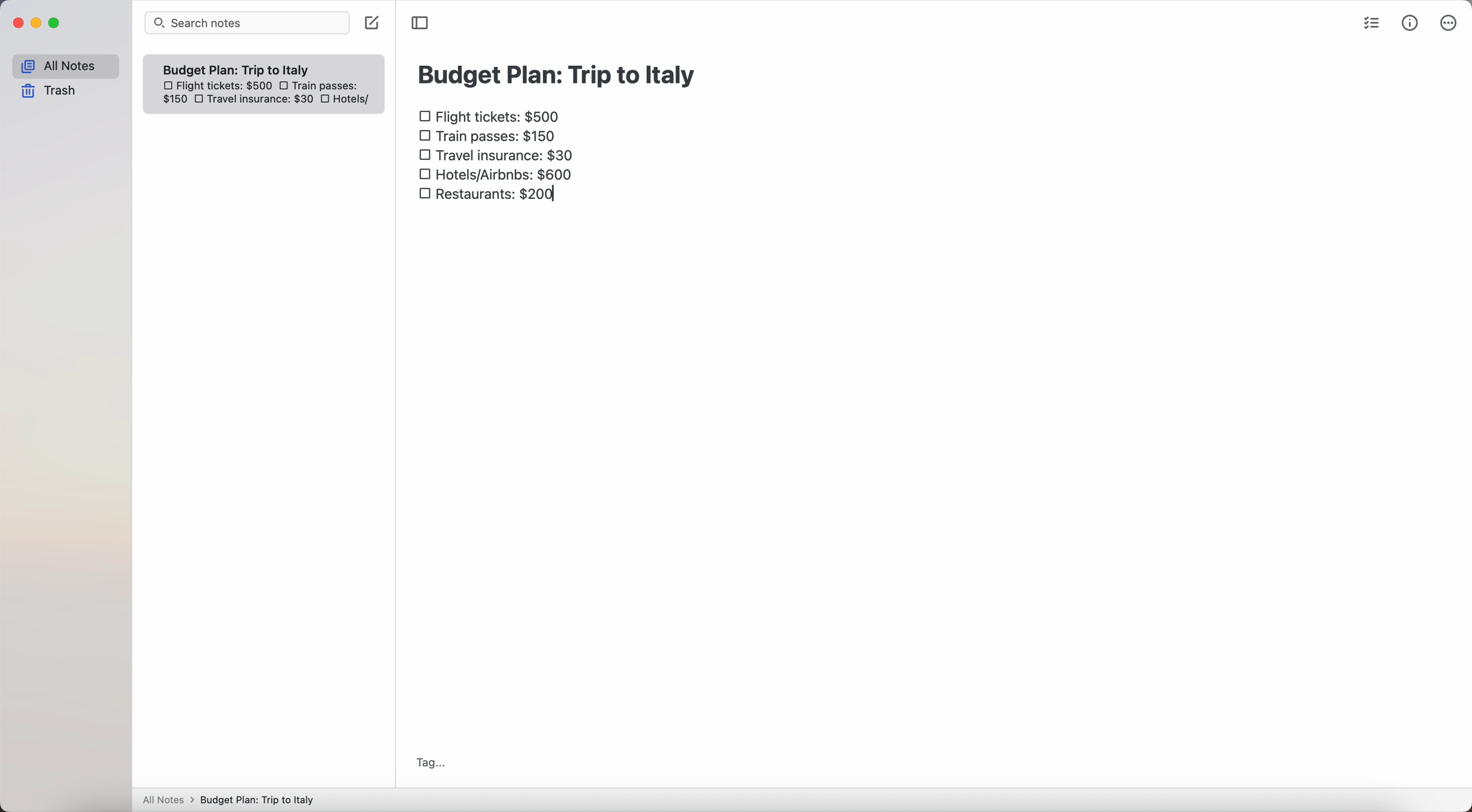 The width and height of the screenshot is (1472, 812). Describe the element at coordinates (18, 23) in the screenshot. I see `close Simplenote` at that location.